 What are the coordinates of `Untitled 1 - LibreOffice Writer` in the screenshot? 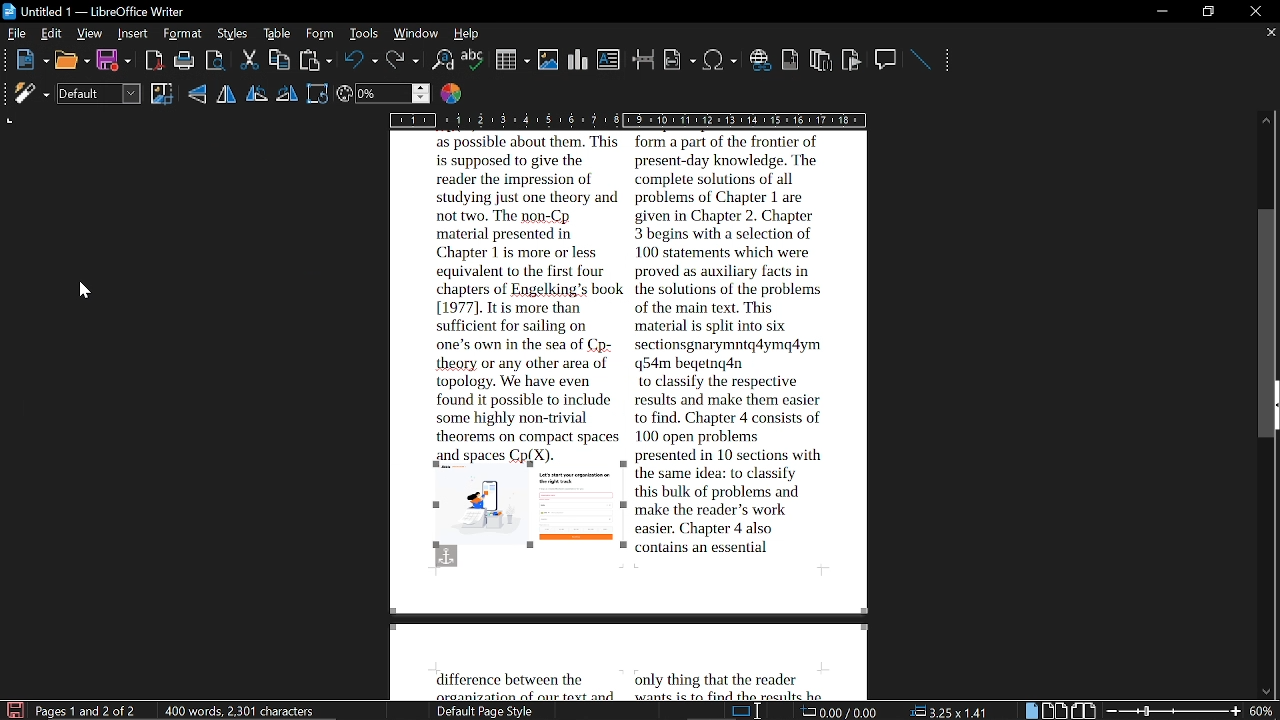 It's located at (102, 12).